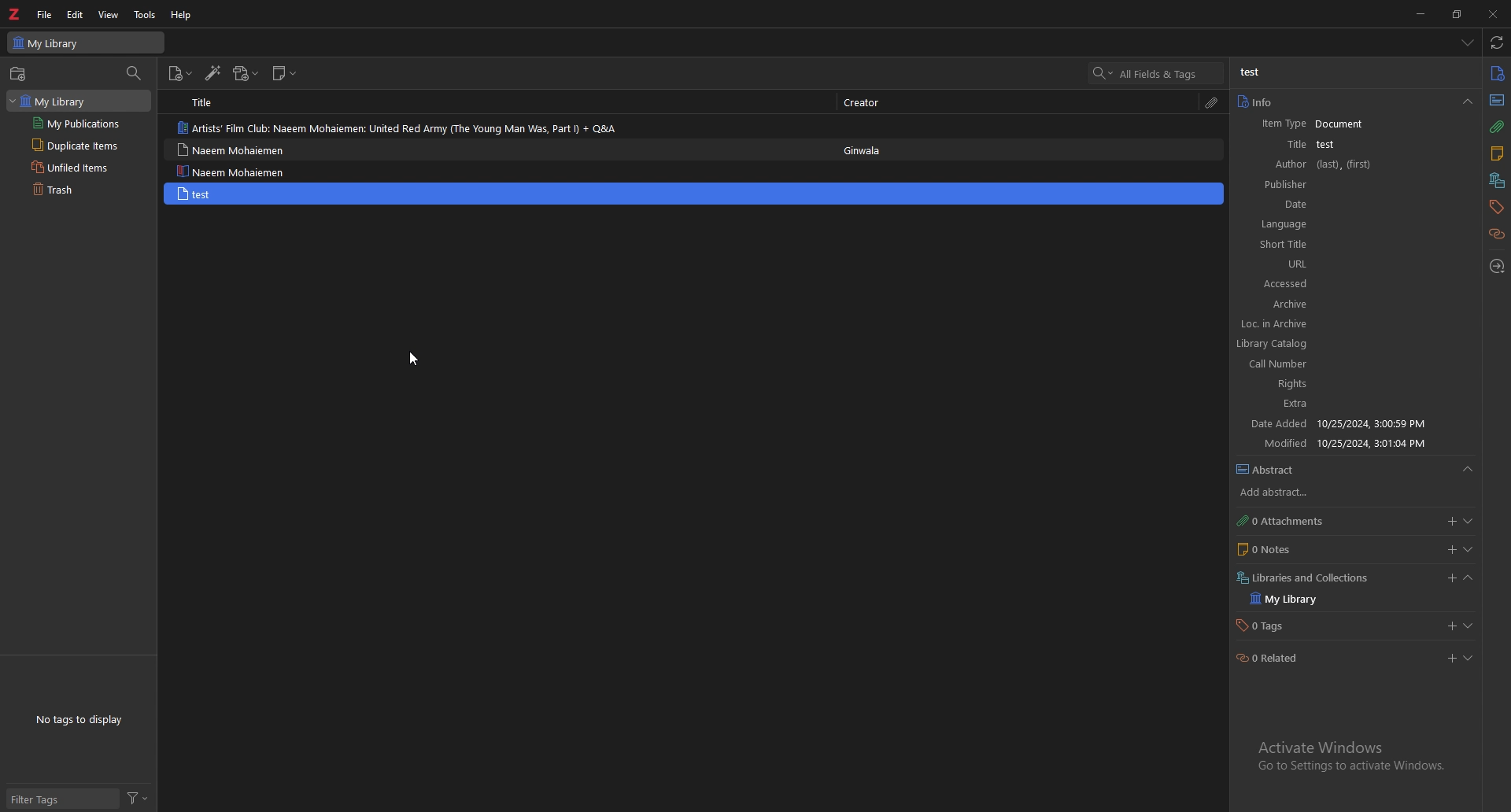 The image size is (1511, 812). I want to click on library, so click(57, 100).